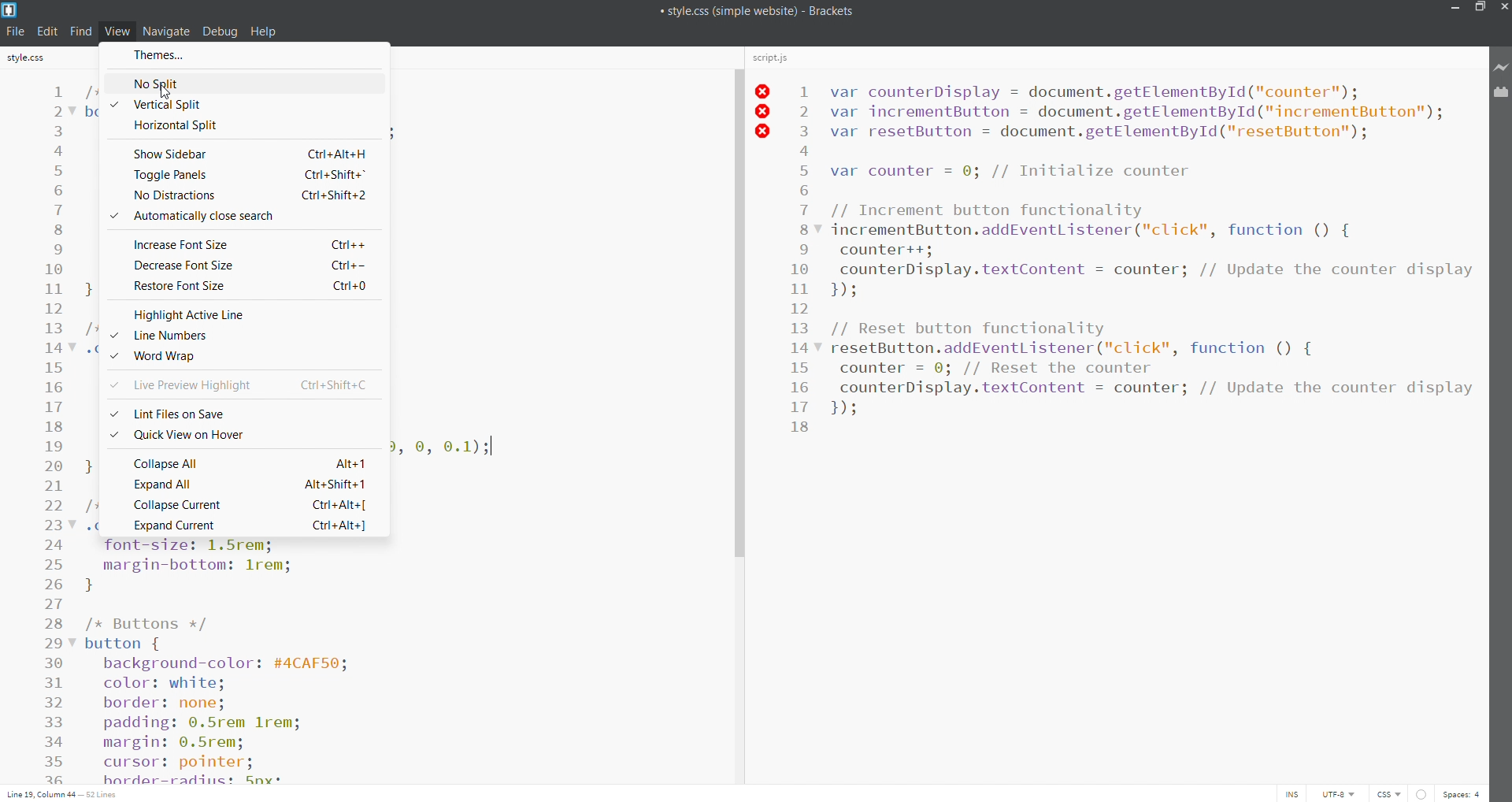 This screenshot has width=1512, height=802. I want to click on view, so click(113, 30).